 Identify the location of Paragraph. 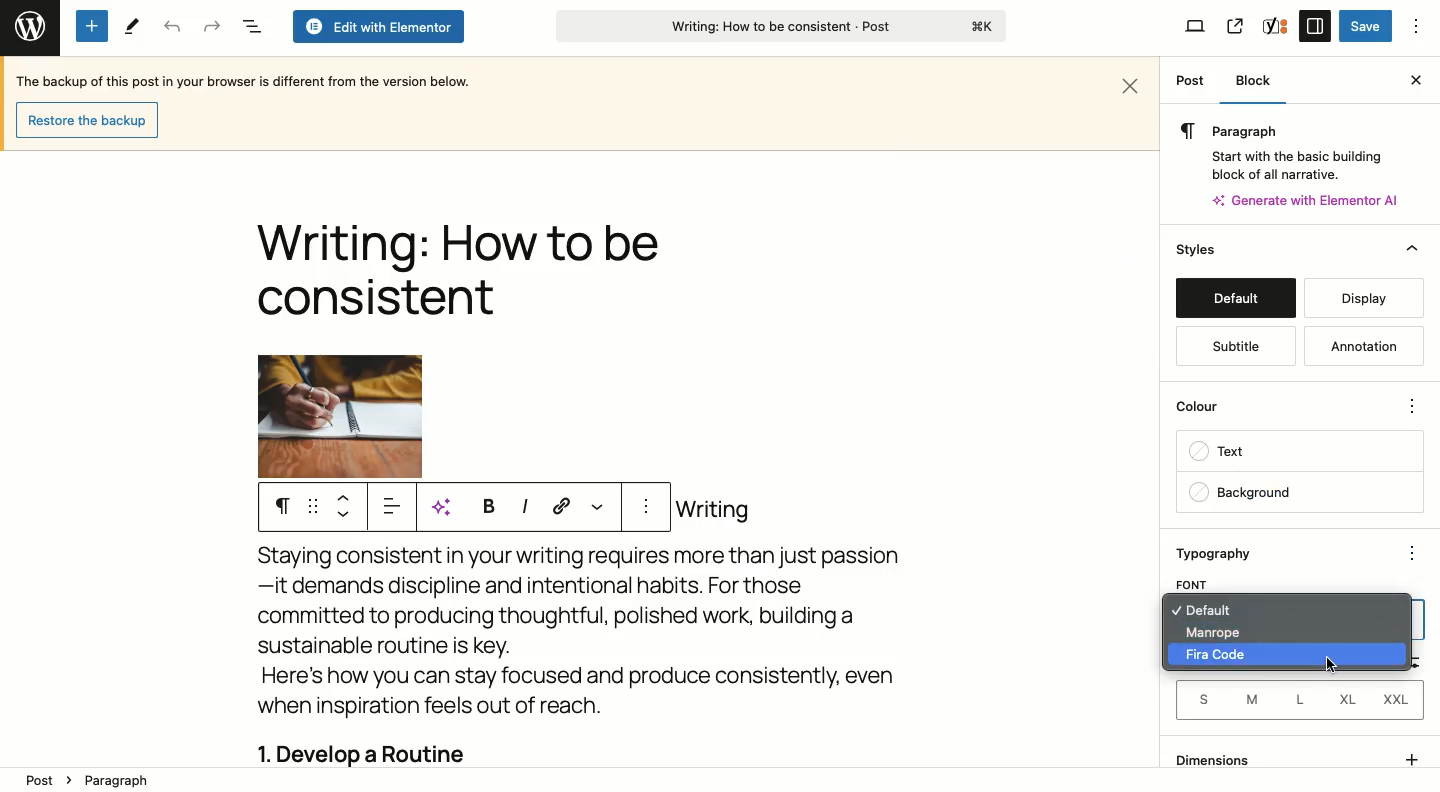
(118, 779).